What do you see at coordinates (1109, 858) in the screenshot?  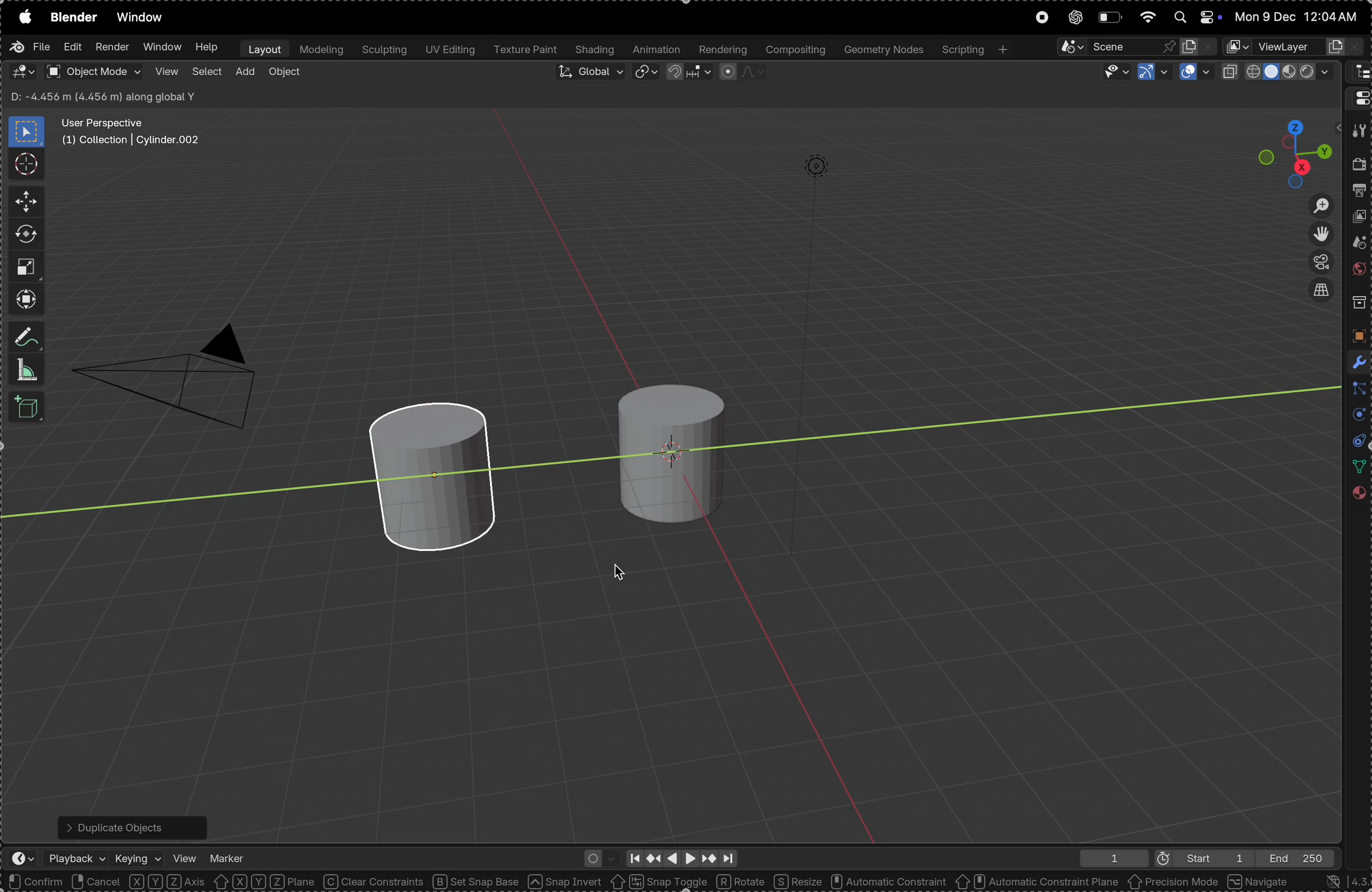 I see `1` at bounding box center [1109, 858].